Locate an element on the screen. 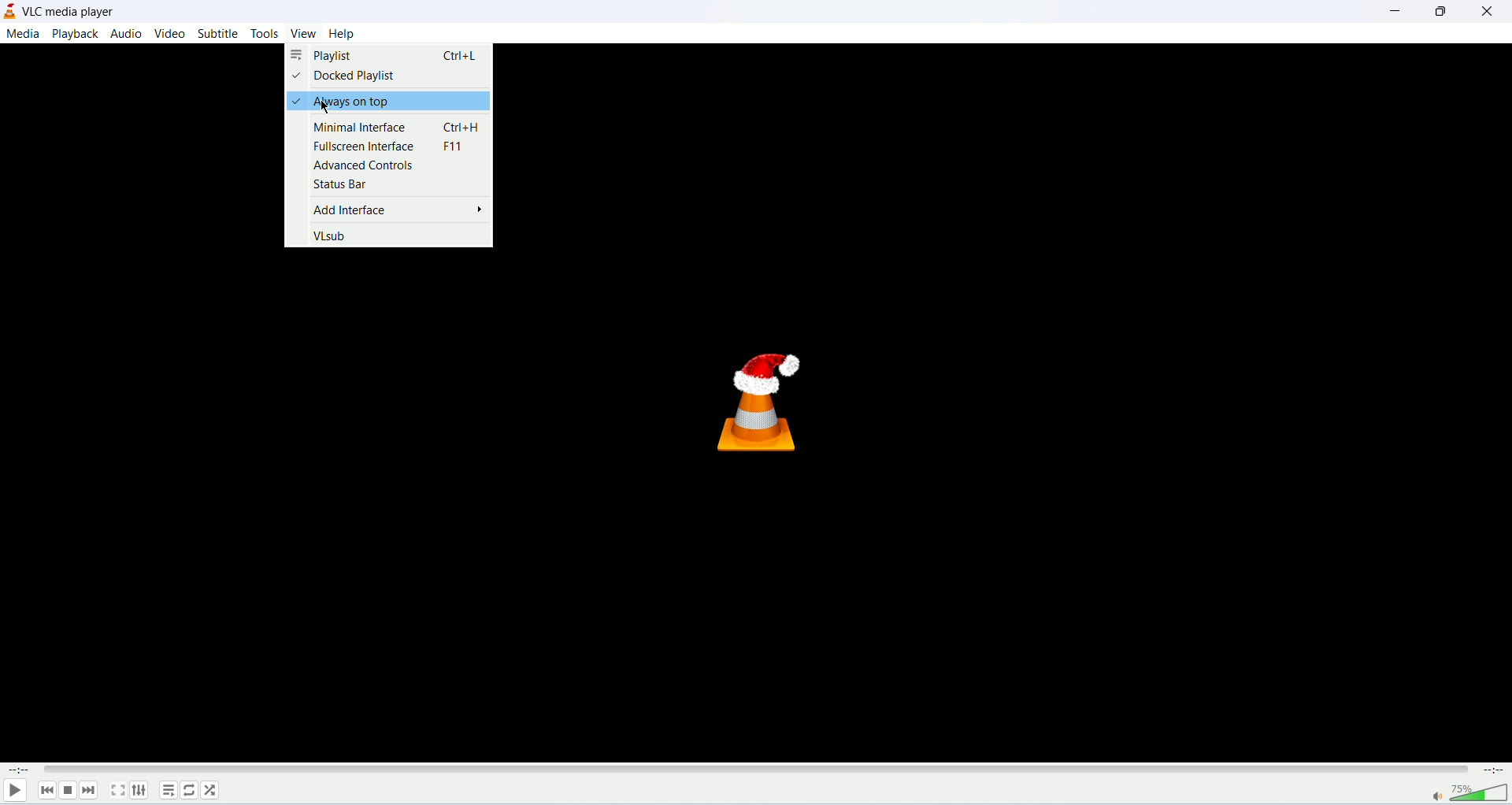 This screenshot has width=1512, height=805. total time is located at coordinates (1492, 770).